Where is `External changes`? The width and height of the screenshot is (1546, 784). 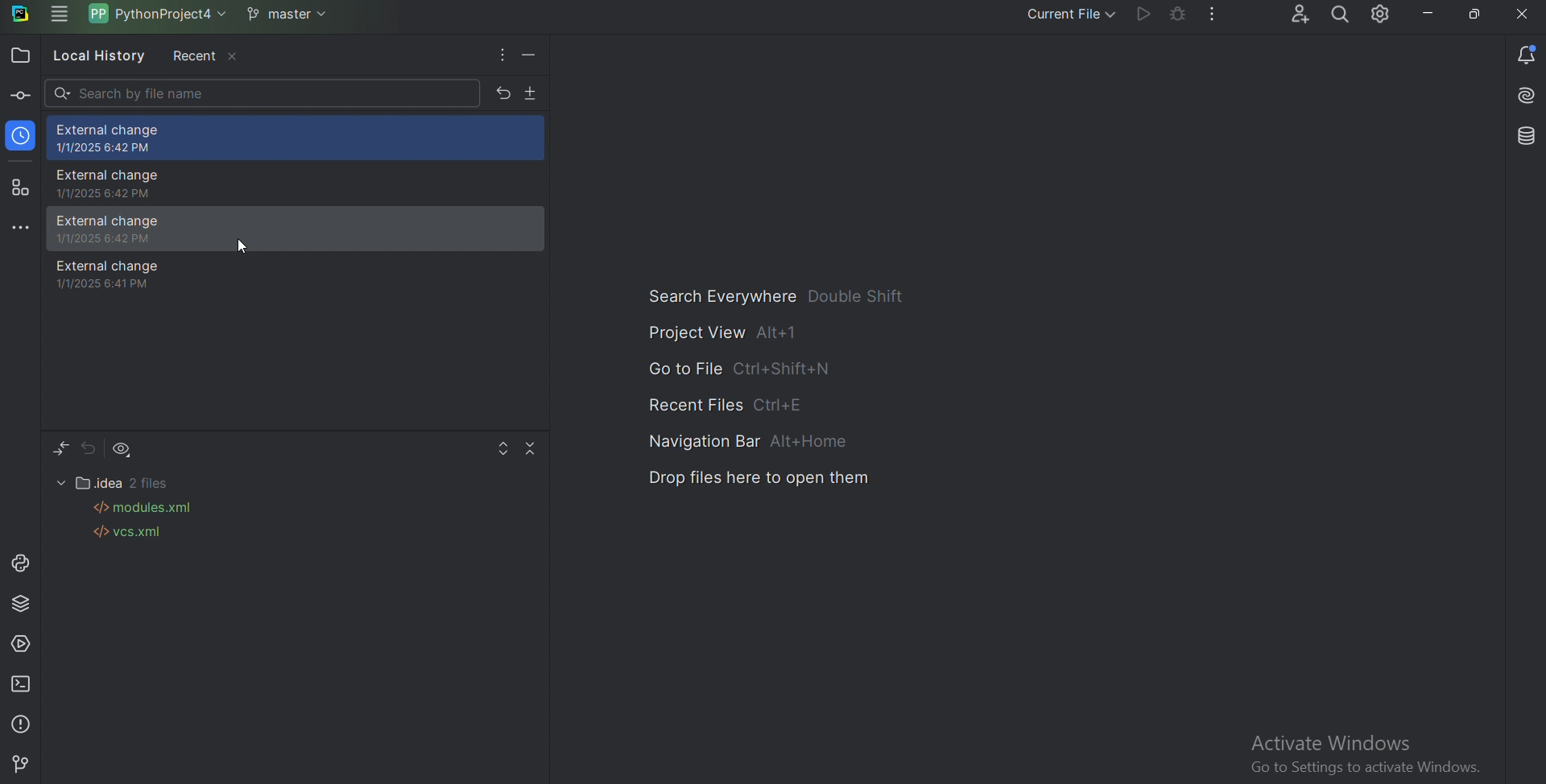
External changes is located at coordinates (299, 139).